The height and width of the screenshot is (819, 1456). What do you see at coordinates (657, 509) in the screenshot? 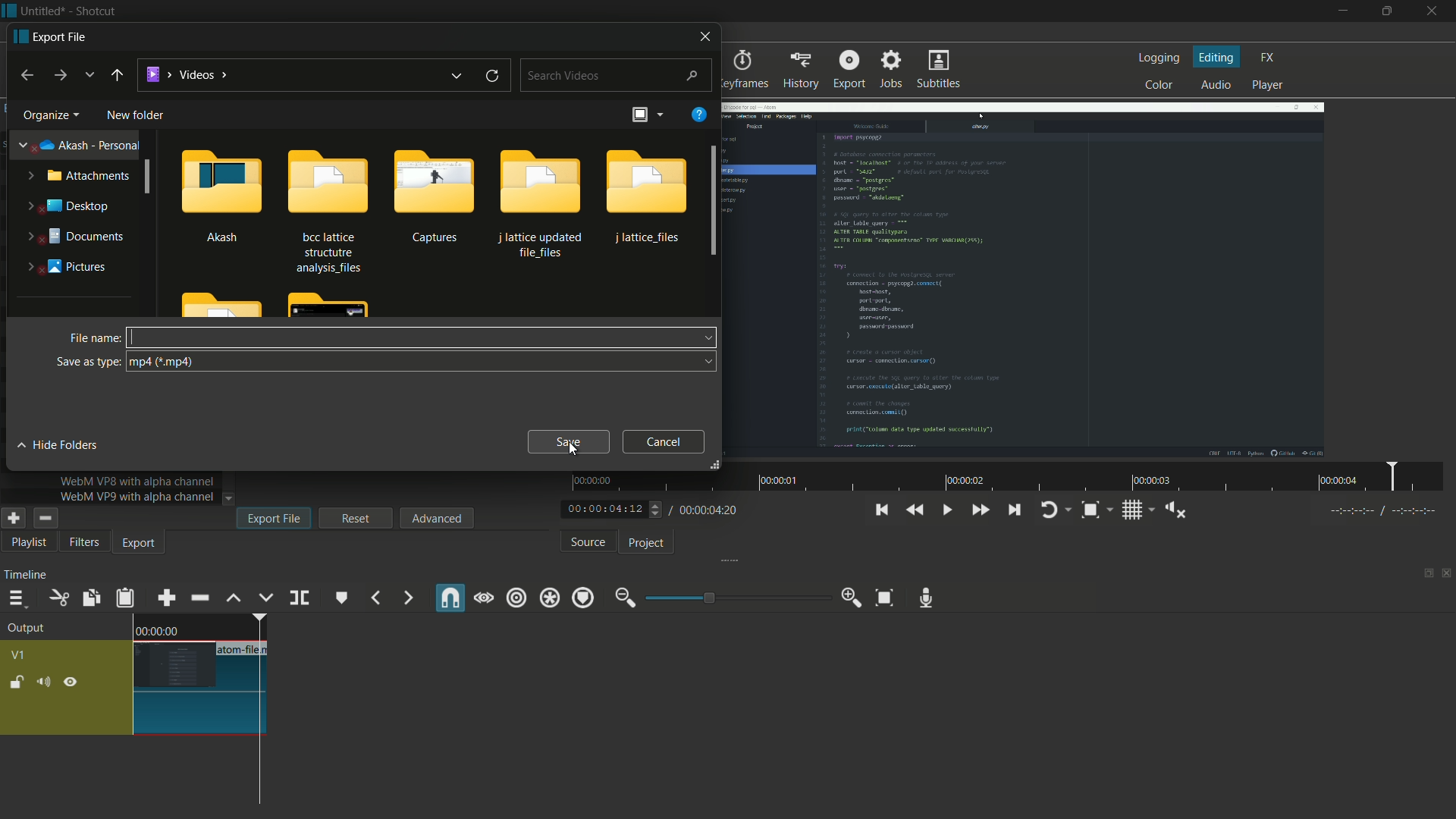
I see `rewind/fast forward` at bounding box center [657, 509].